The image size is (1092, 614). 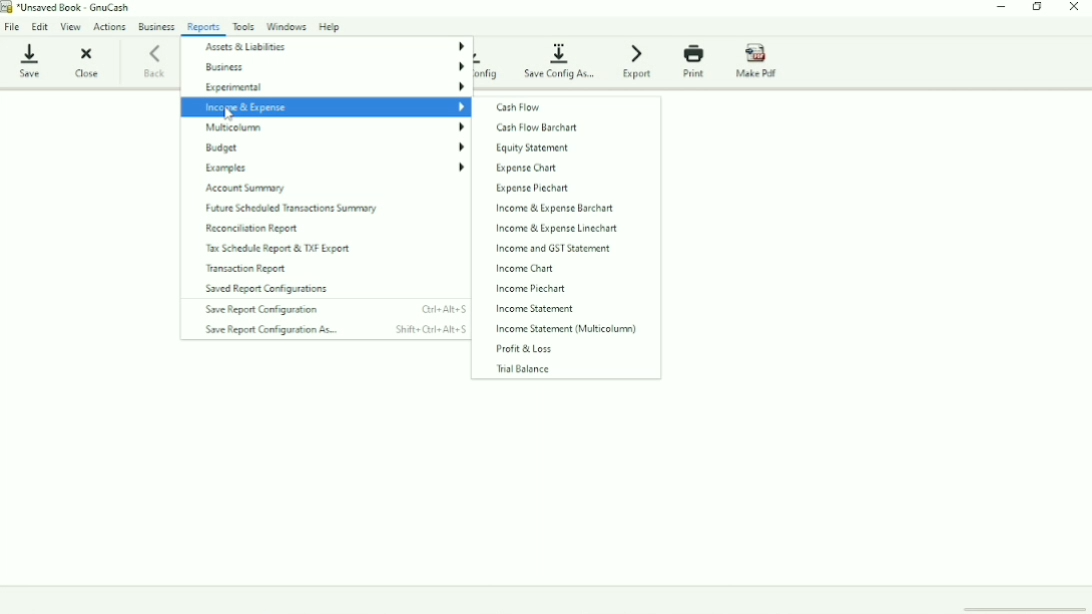 I want to click on Cash Flow Barchart, so click(x=537, y=127).